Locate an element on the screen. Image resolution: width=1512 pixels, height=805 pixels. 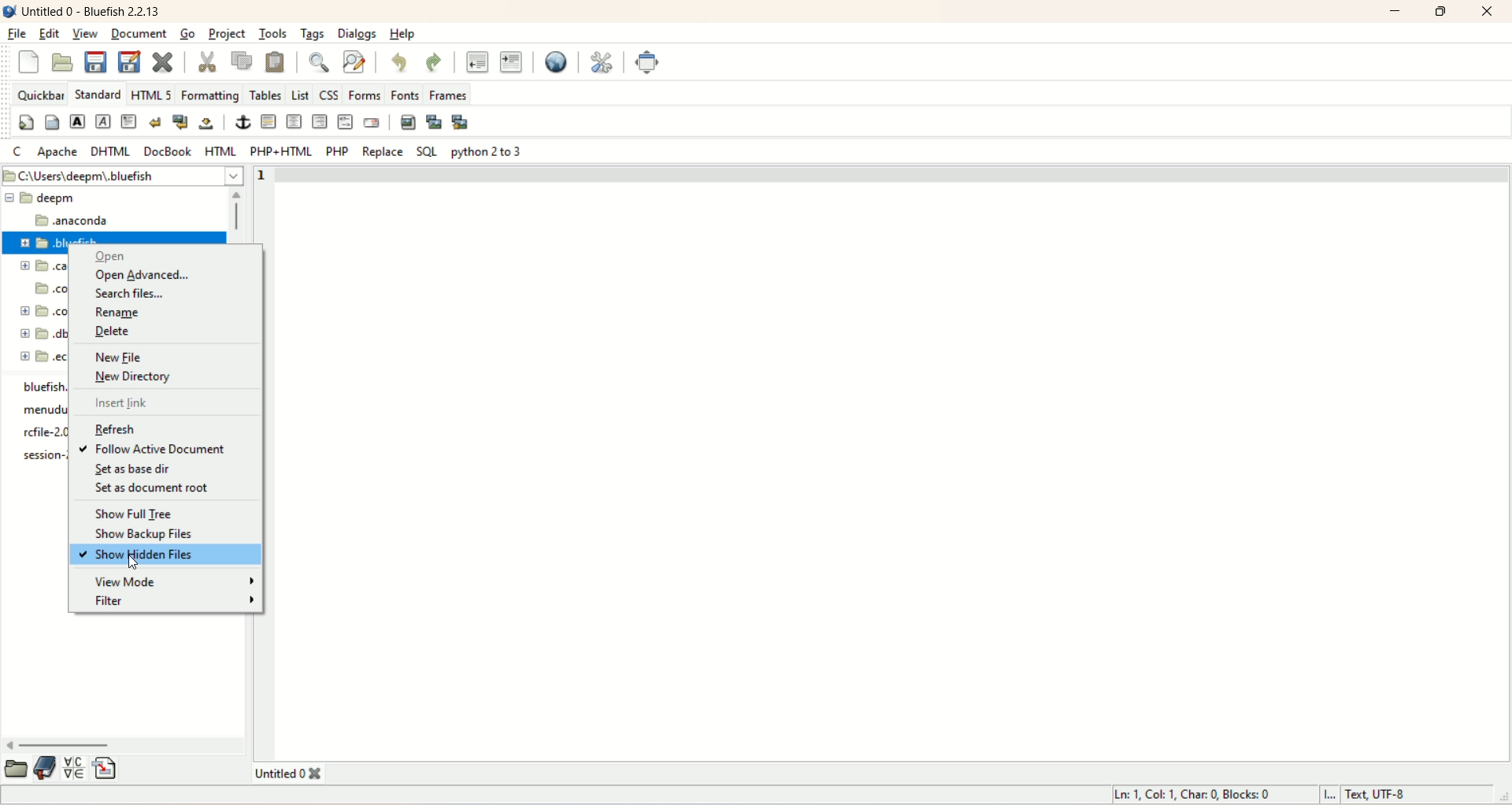
refresh is located at coordinates (115, 427).